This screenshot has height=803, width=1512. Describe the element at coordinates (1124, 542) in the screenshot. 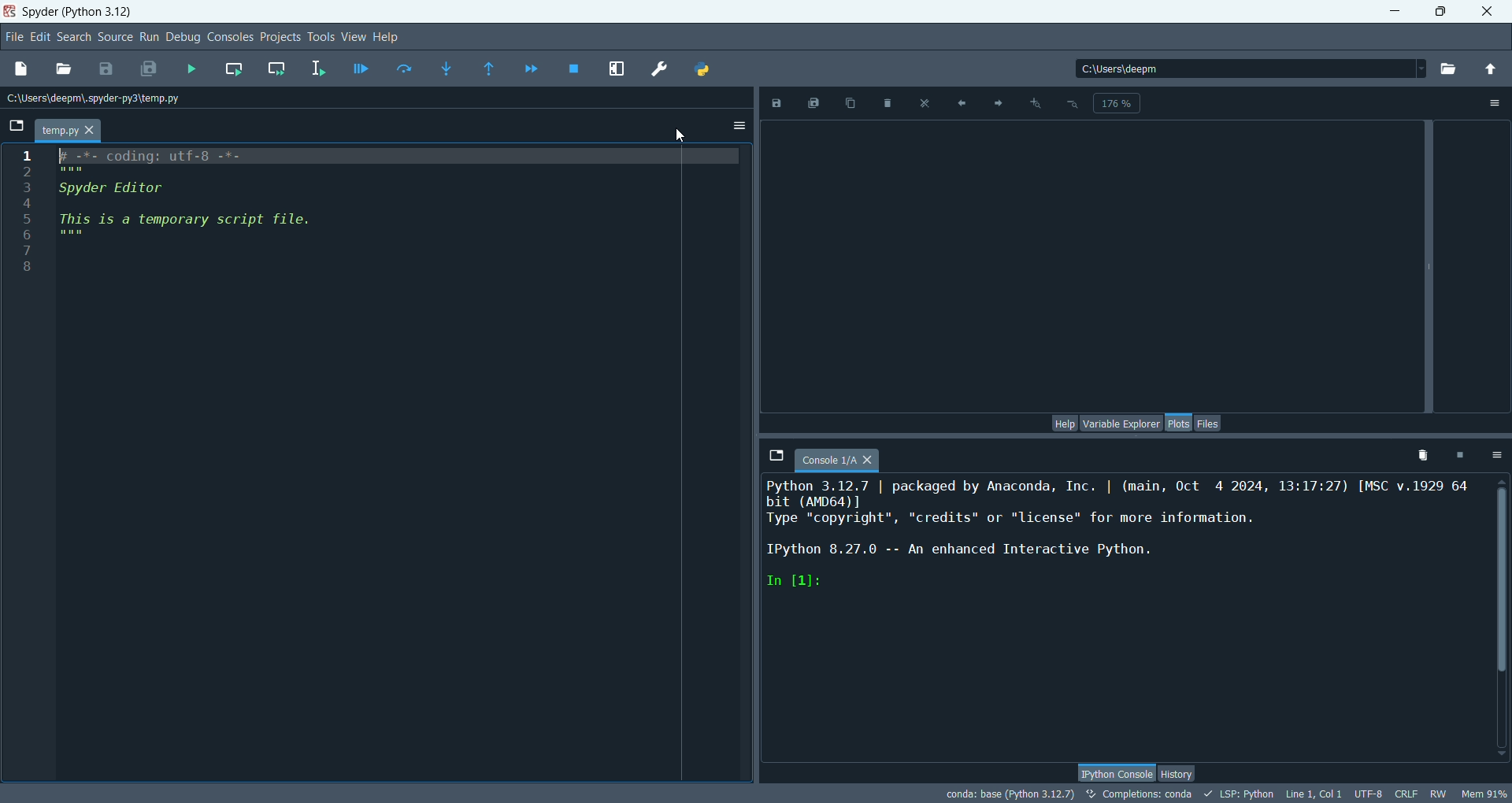

I see `ipython console pane` at that location.